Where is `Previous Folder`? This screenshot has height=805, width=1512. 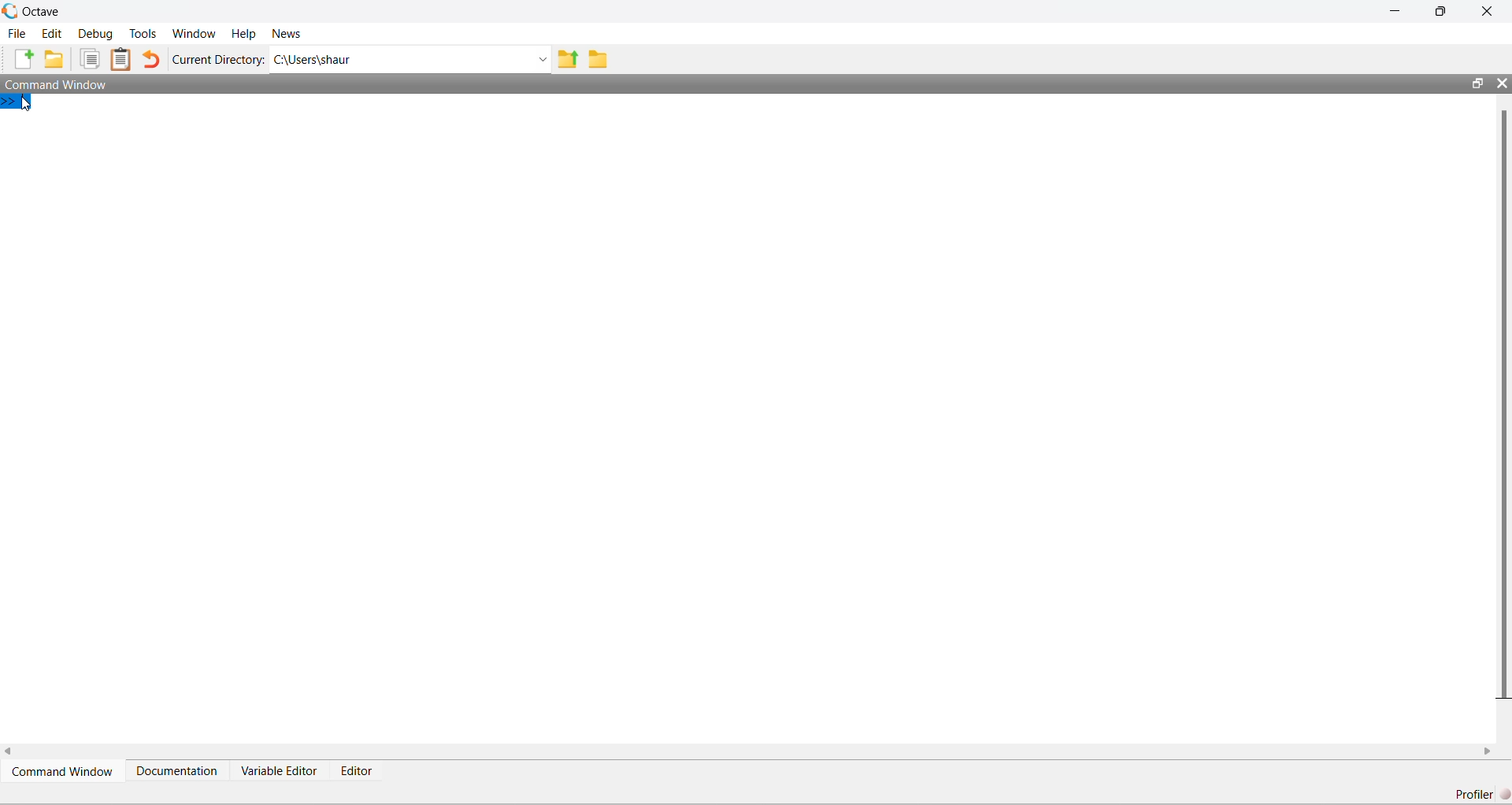
Previous Folder is located at coordinates (568, 59).